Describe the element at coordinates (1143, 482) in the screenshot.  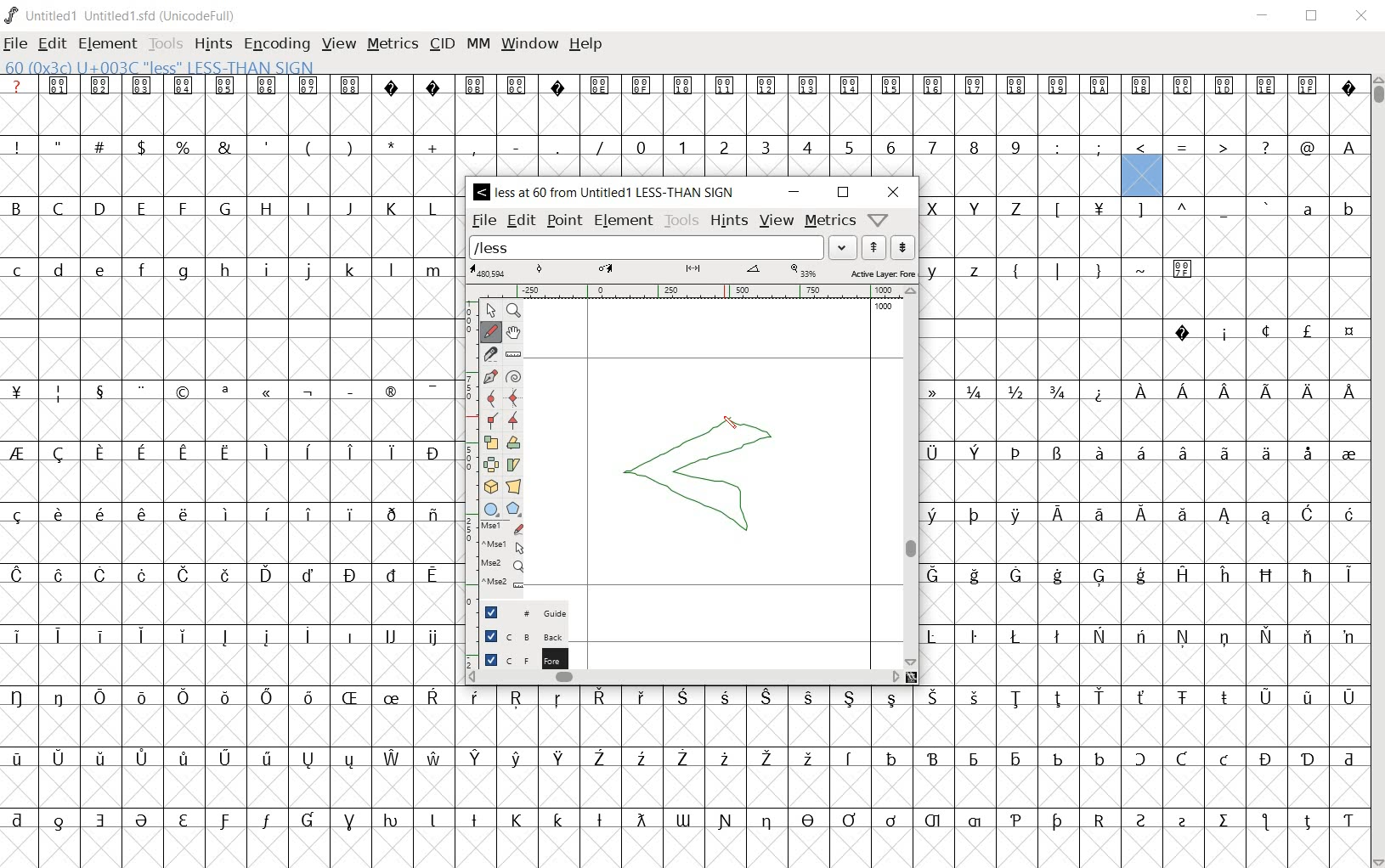
I see `empty cells` at that location.